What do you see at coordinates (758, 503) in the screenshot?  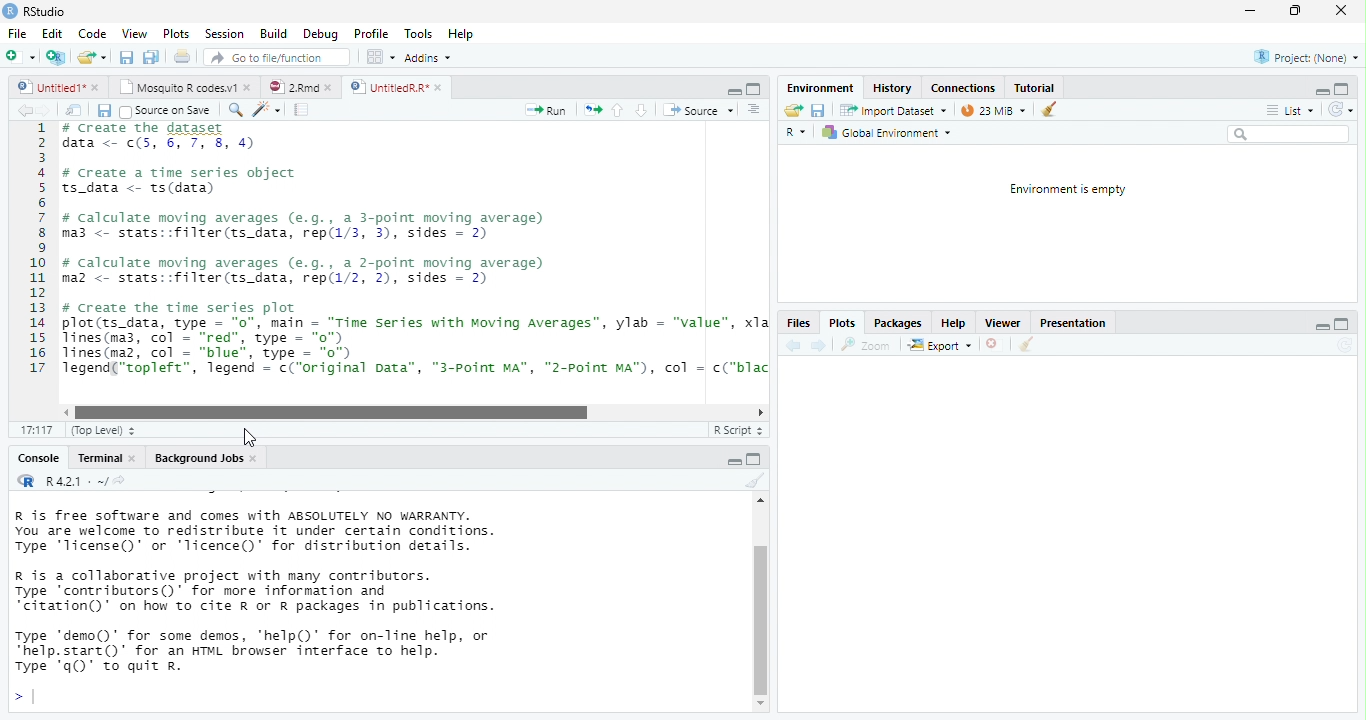 I see `scrollbar up` at bounding box center [758, 503].